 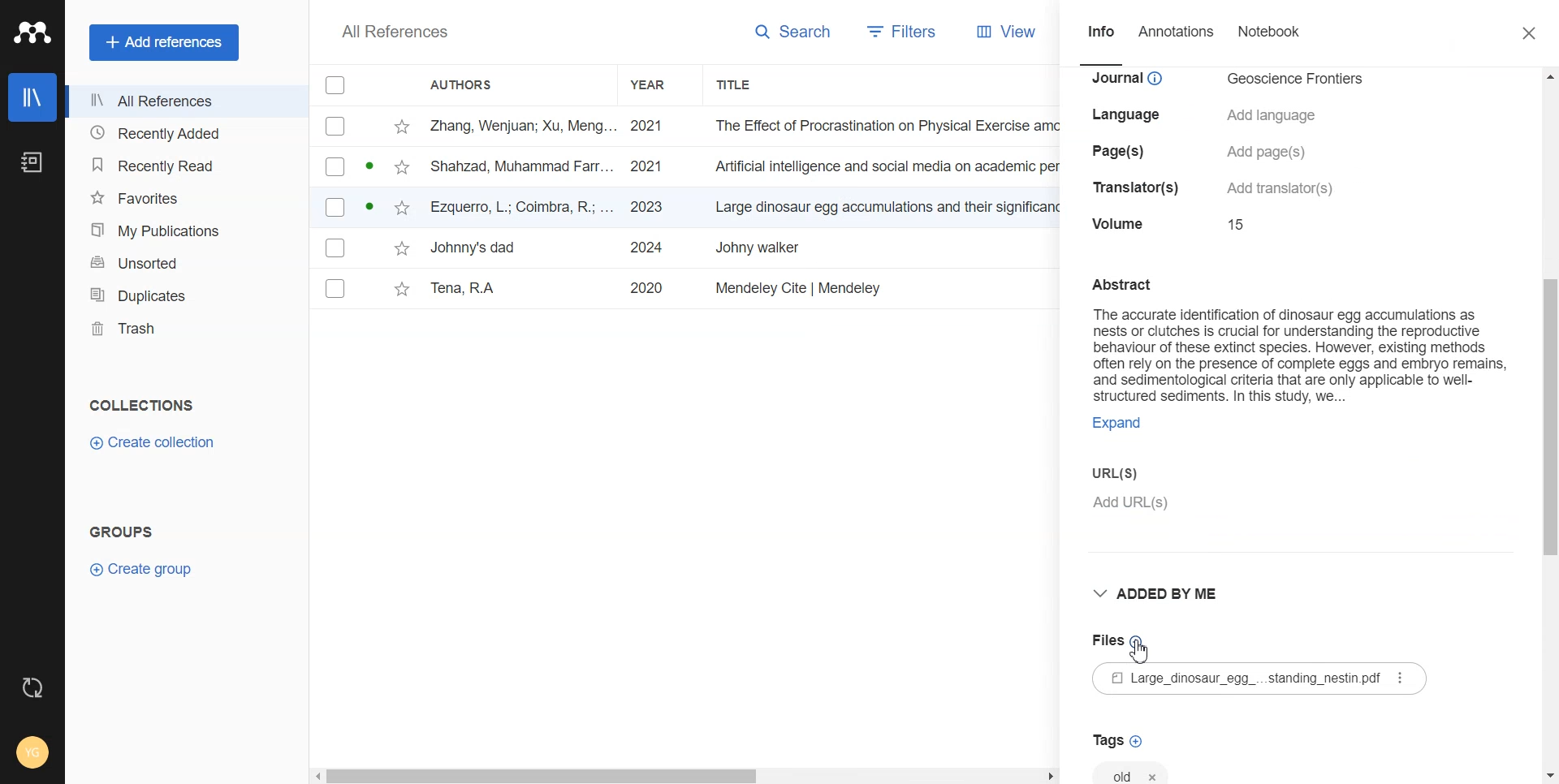 What do you see at coordinates (336, 207) in the screenshot?
I see `Checkbox` at bounding box center [336, 207].